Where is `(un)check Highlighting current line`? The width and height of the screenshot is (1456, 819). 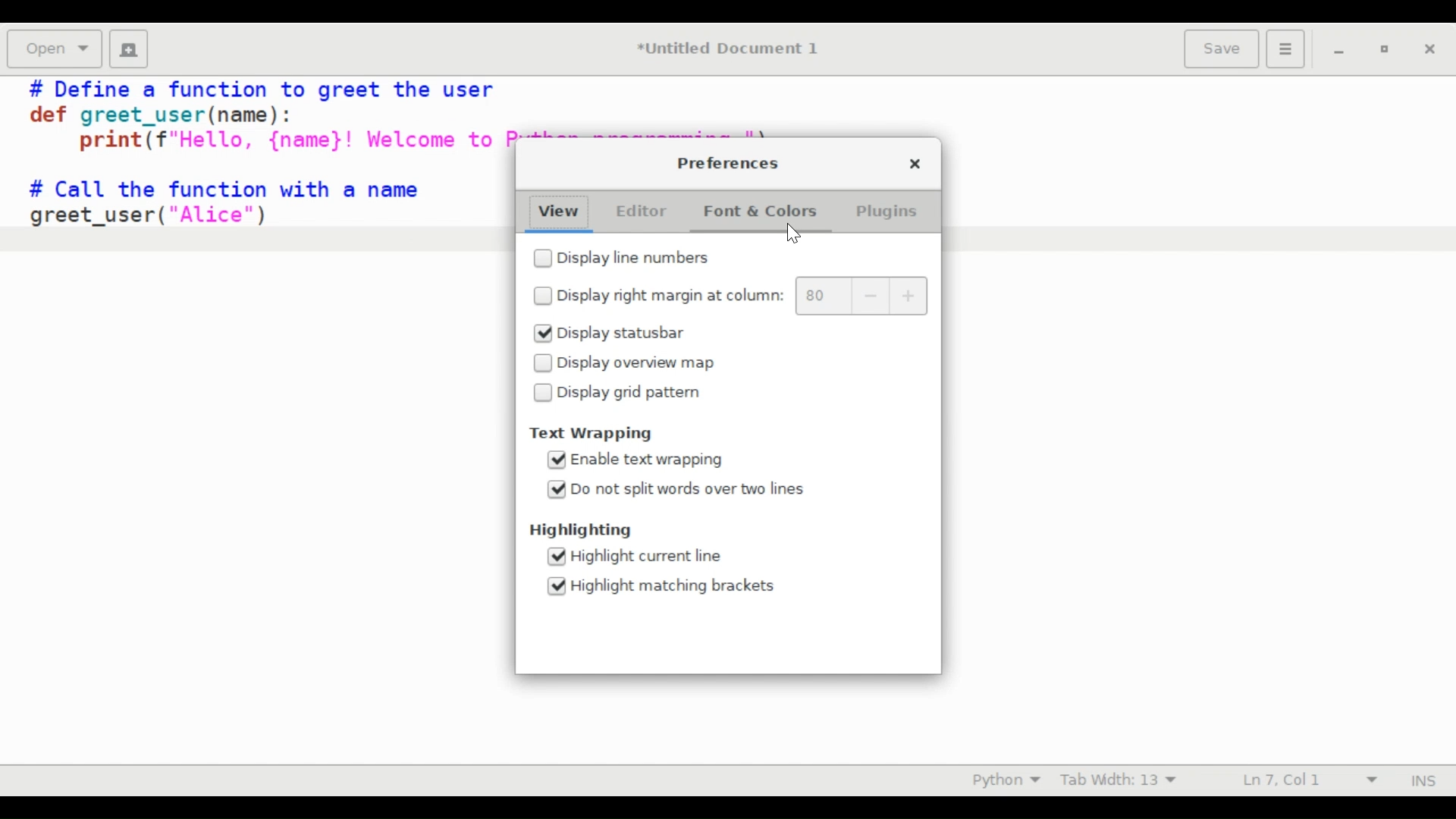 (un)check Highlighting current line is located at coordinates (635, 557).